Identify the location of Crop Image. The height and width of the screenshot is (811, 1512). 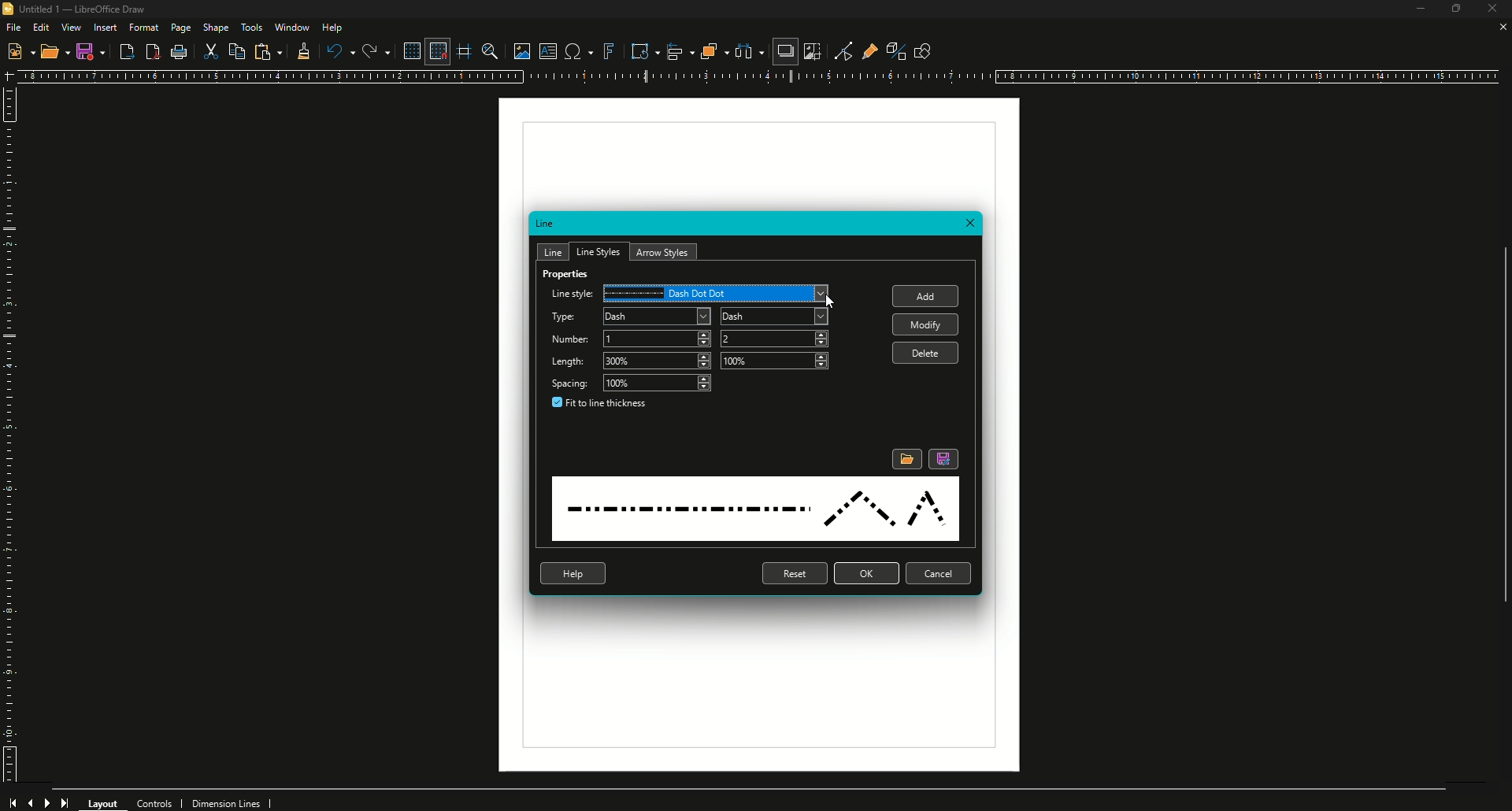
(812, 51).